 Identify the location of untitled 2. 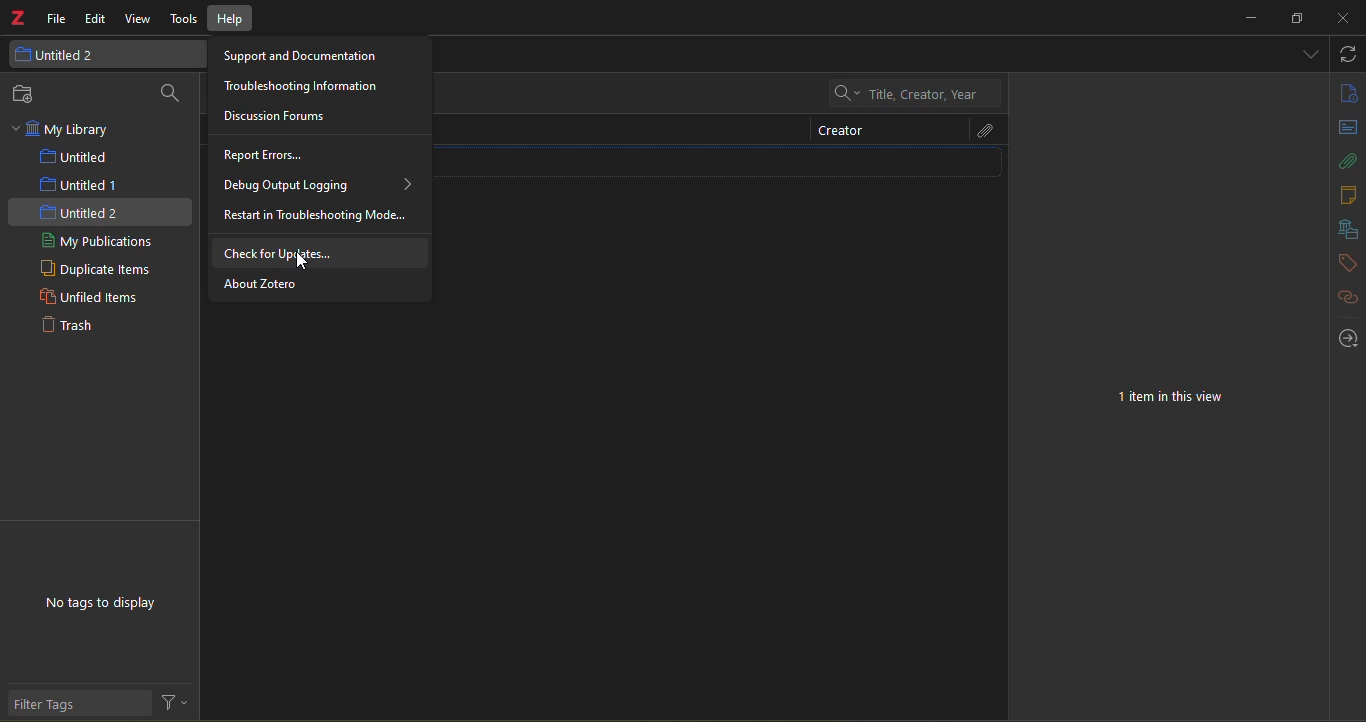
(104, 55).